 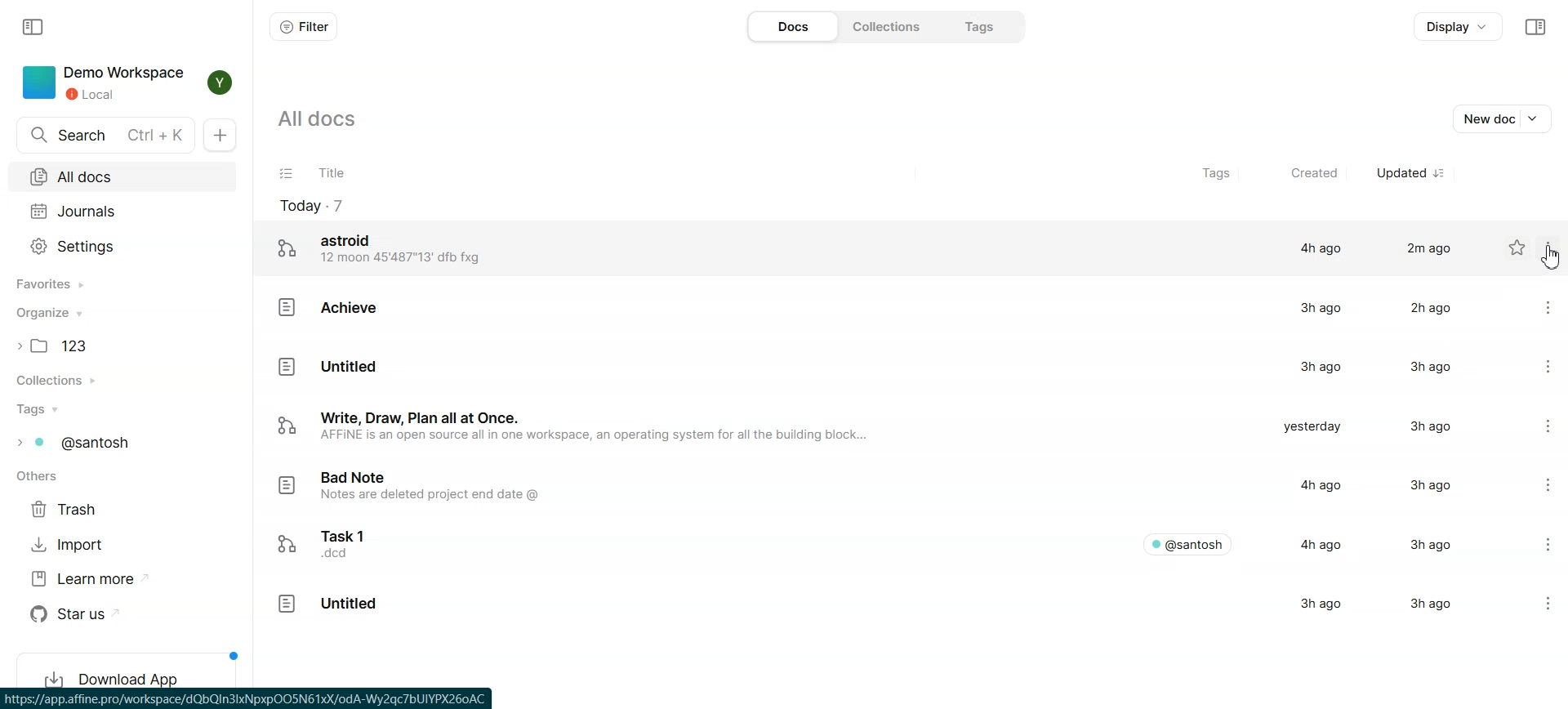 What do you see at coordinates (1426, 605) in the screenshot?
I see `3hago` at bounding box center [1426, 605].